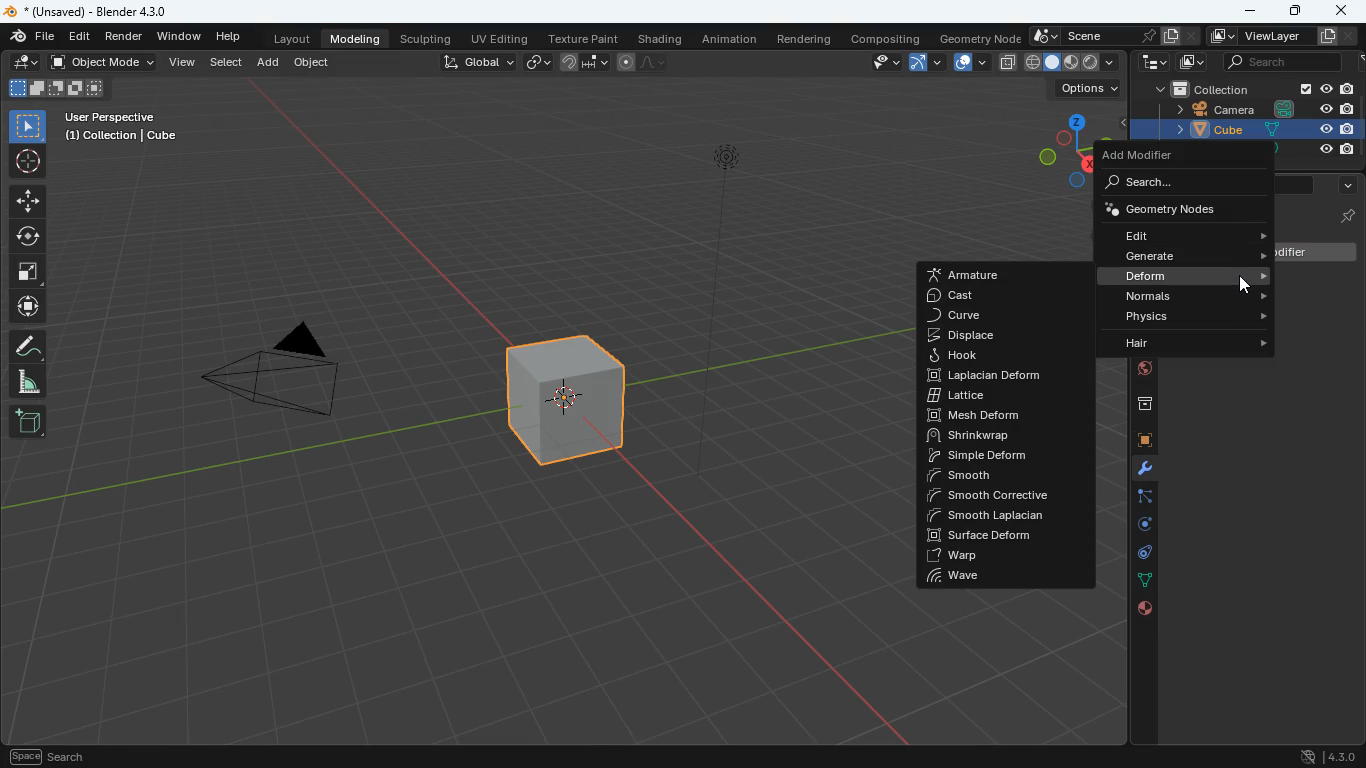  What do you see at coordinates (970, 63) in the screenshot?
I see `copy` at bounding box center [970, 63].